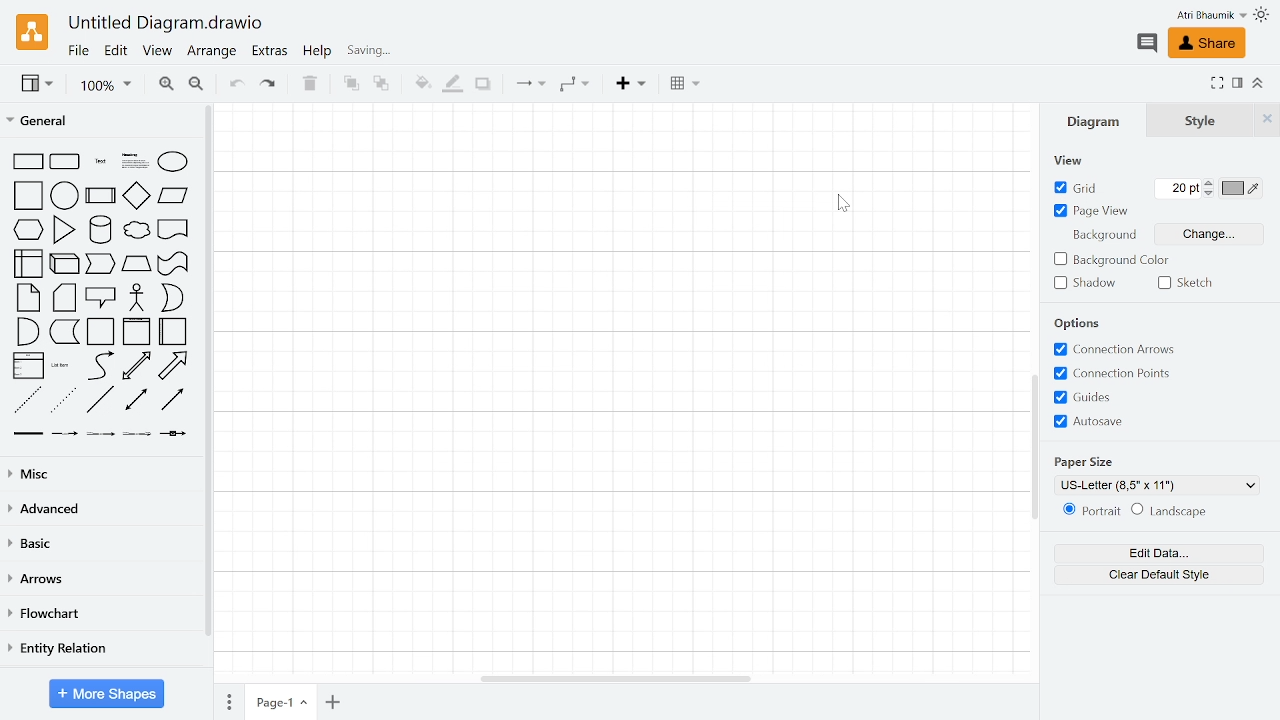 This screenshot has height=720, width=1280. Describe the element at coordinates (1212, 181) in the screenshot. I see `Increase grid pt` at that location.